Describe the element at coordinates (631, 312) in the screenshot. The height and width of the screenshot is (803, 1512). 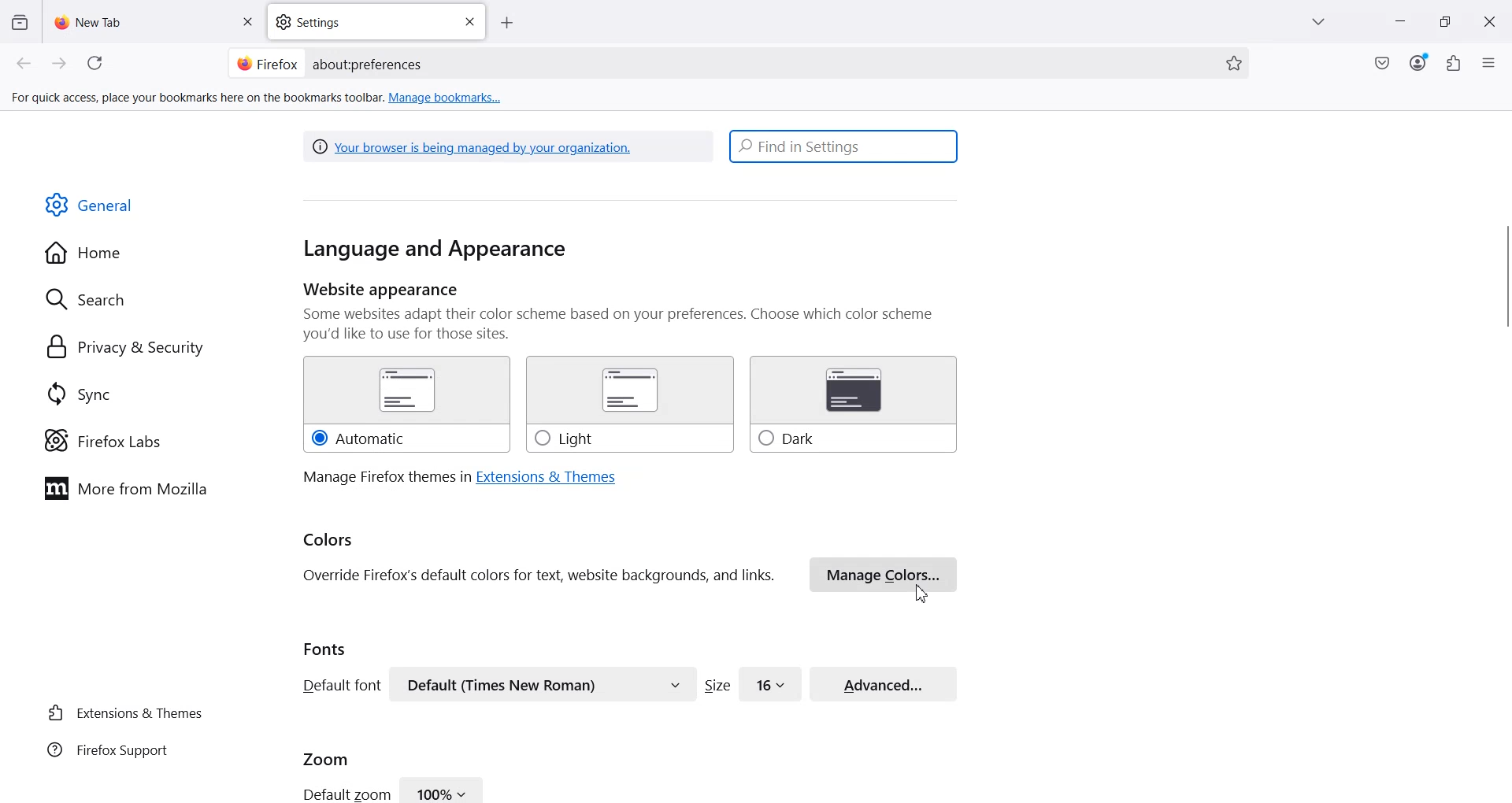
I see `Website appearance
Some websites adapt their color scheme based on your preferences. Choose which color scheme
you'd like to use for those sites.` at that location.